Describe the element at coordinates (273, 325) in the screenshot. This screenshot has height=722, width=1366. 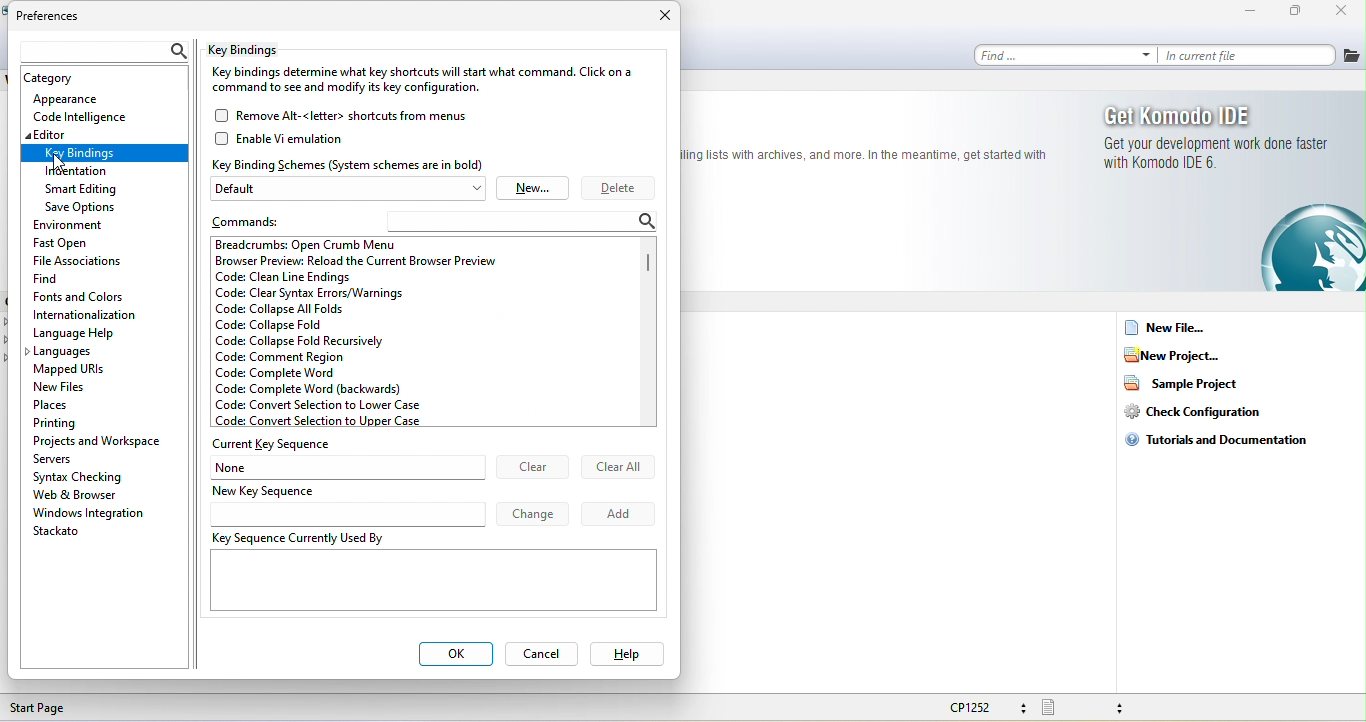
I see `code collapse fold` at that location.